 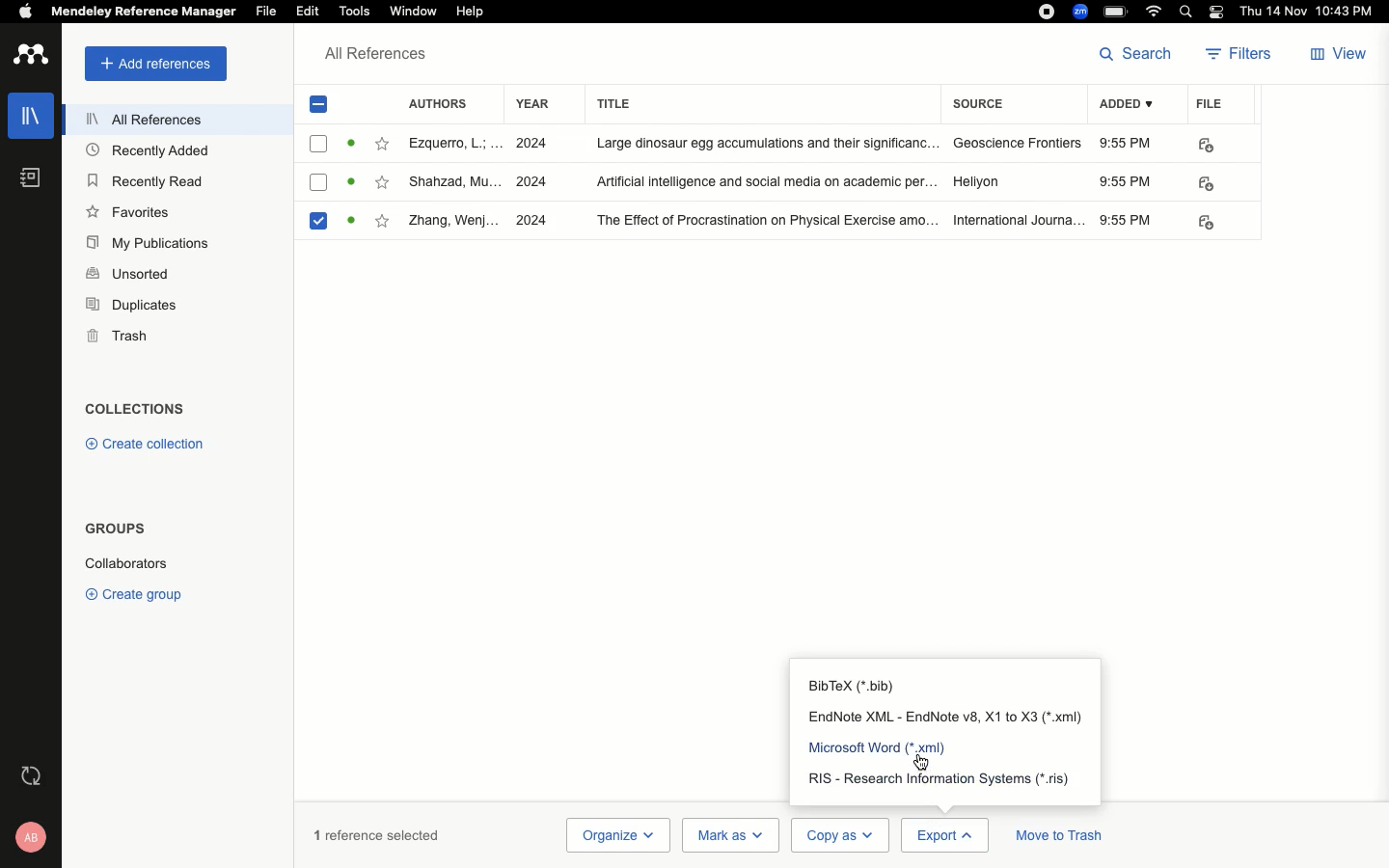 I want to click on PDF, so click(x=1211, y=223).